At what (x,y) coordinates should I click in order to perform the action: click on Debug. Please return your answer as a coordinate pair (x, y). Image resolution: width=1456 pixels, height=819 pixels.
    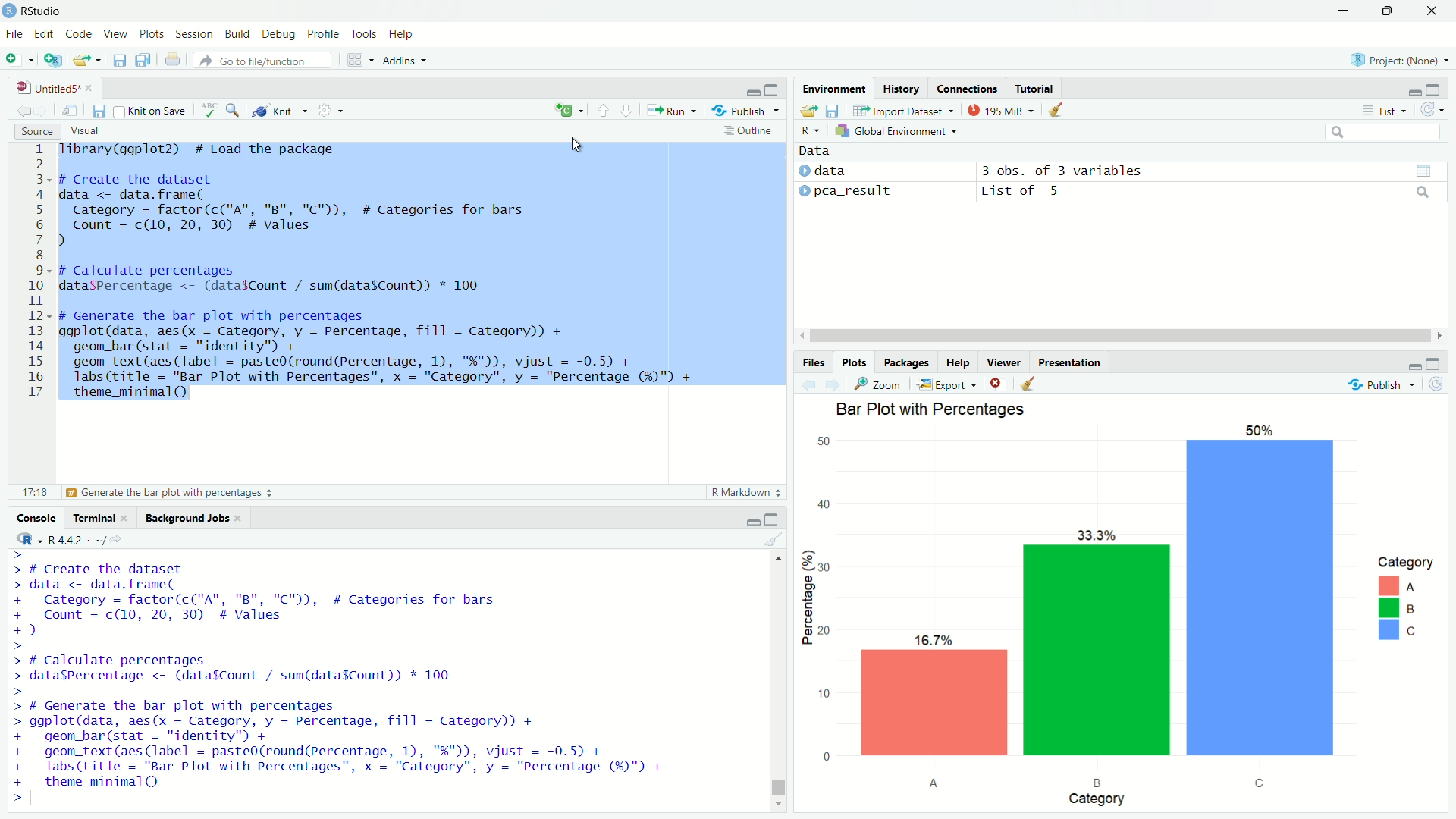
    Looking at the image, I should click on (282, 35).